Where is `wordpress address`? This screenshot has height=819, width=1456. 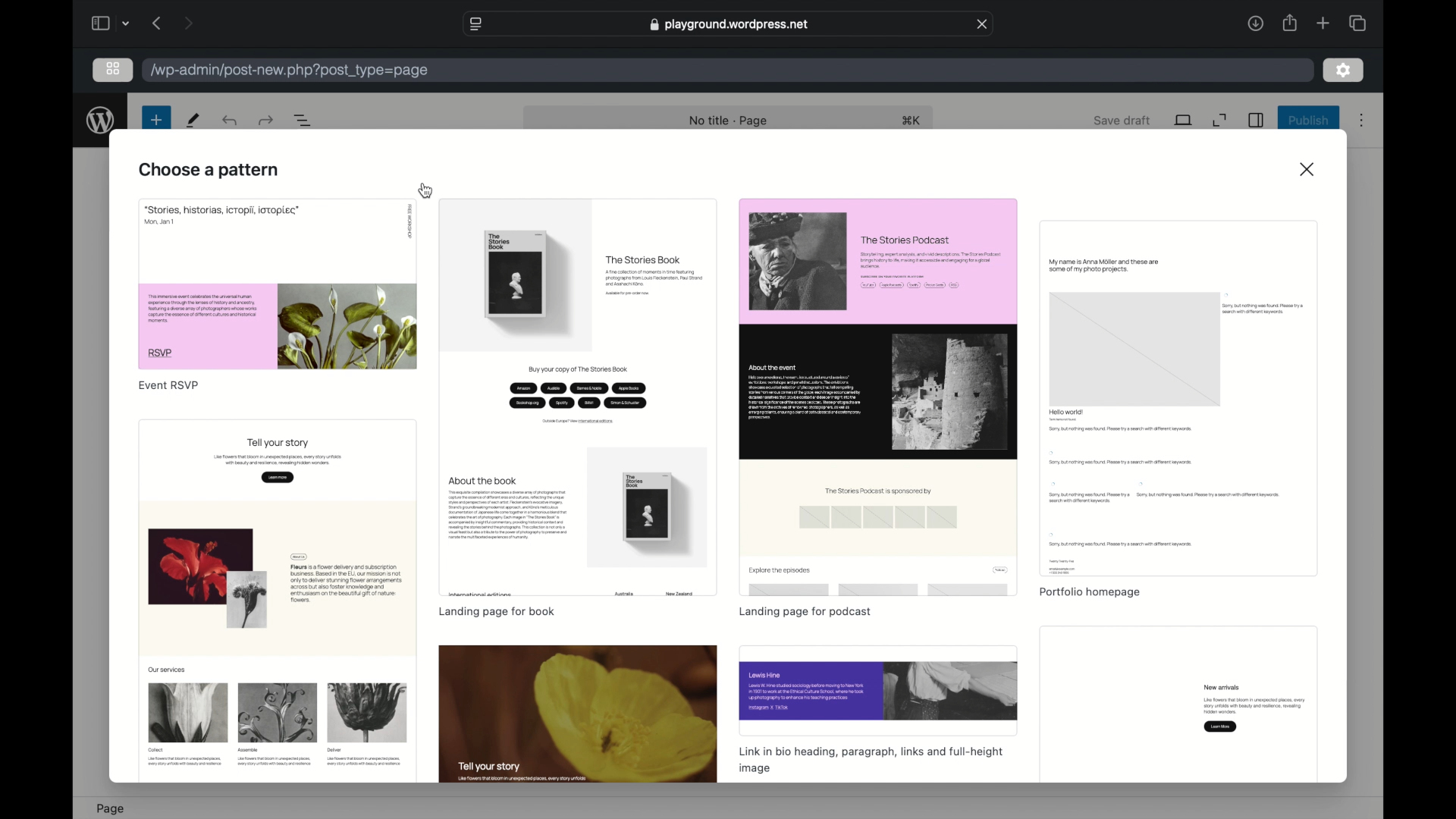 wordpress address is located at coordinates (290, 71).